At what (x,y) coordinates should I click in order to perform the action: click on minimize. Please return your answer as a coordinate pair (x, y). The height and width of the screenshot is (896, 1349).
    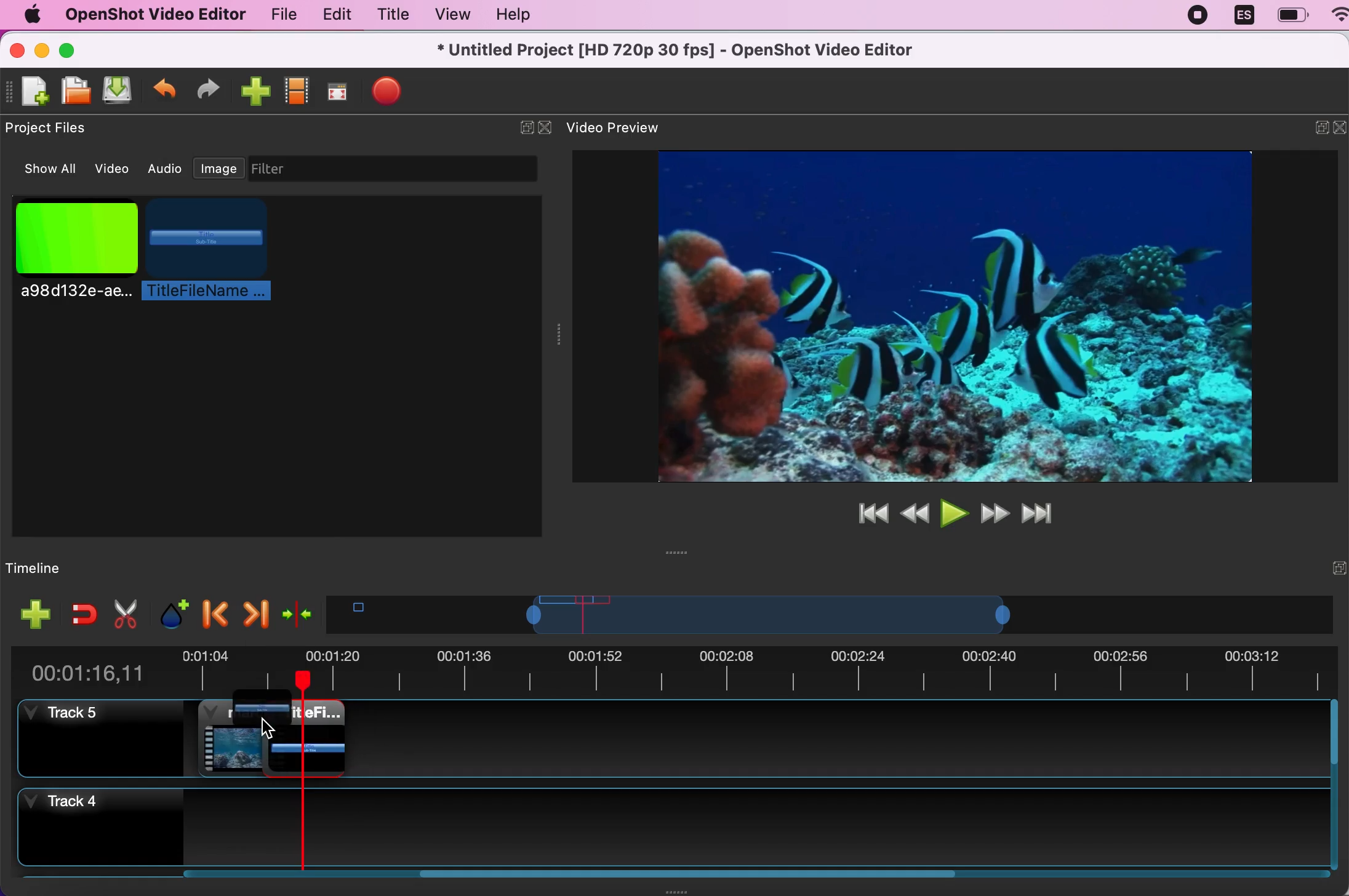
    Looking at the image, I should click on (42, 49).